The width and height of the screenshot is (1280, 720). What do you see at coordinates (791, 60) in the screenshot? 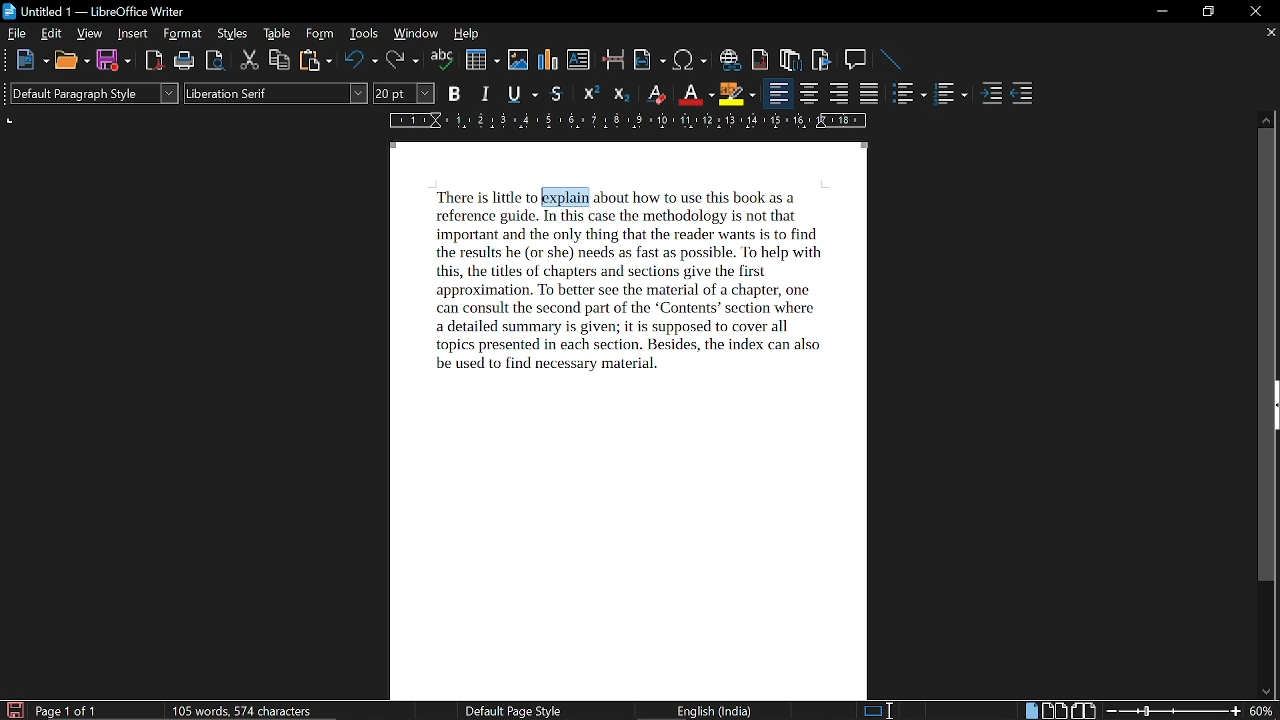
I see `insert footnote` at bounding box center [791, 60].